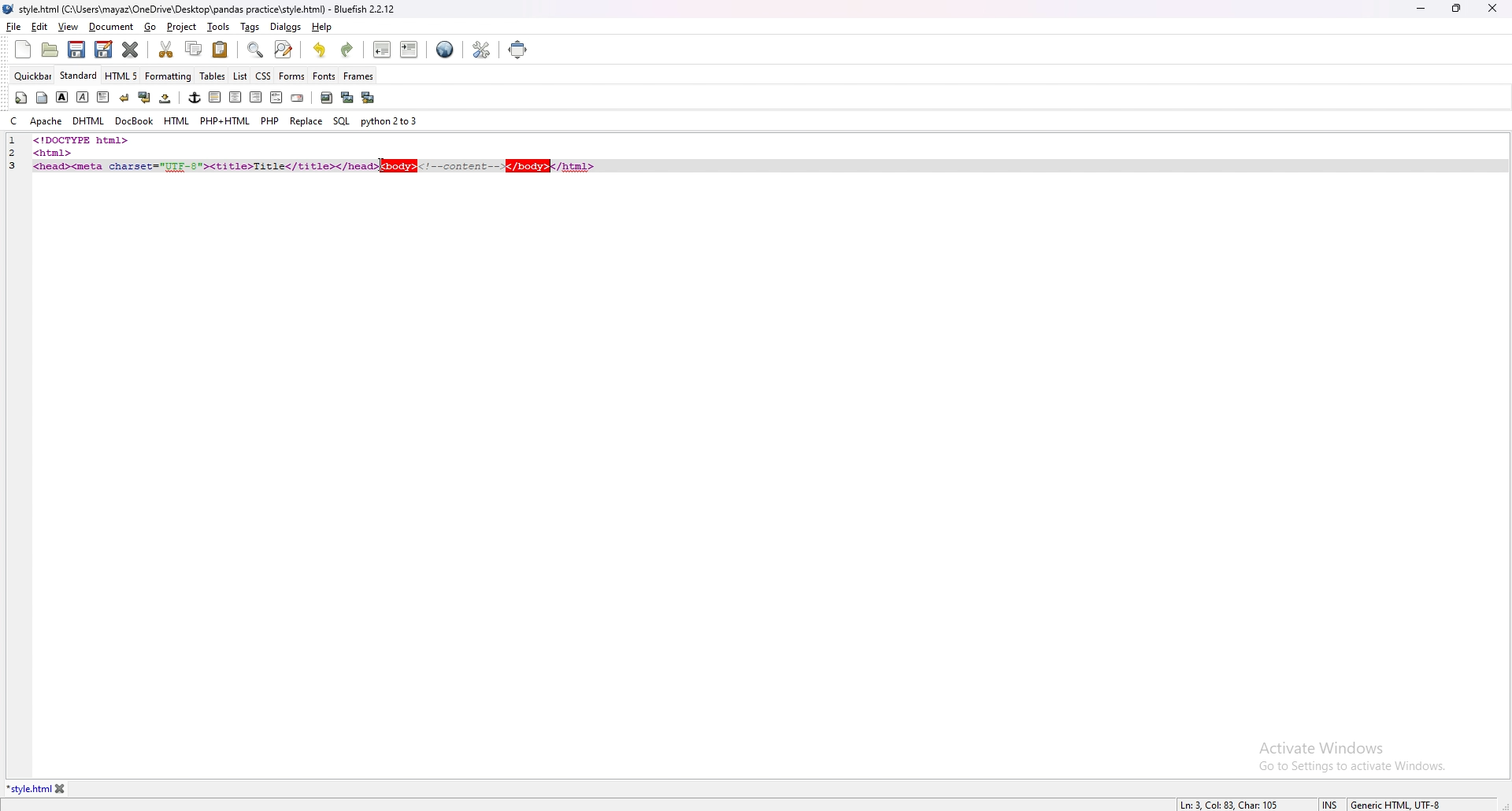 The height and width of the screenshot is (811, 1512). I want to click on line number, so click(17, 165).